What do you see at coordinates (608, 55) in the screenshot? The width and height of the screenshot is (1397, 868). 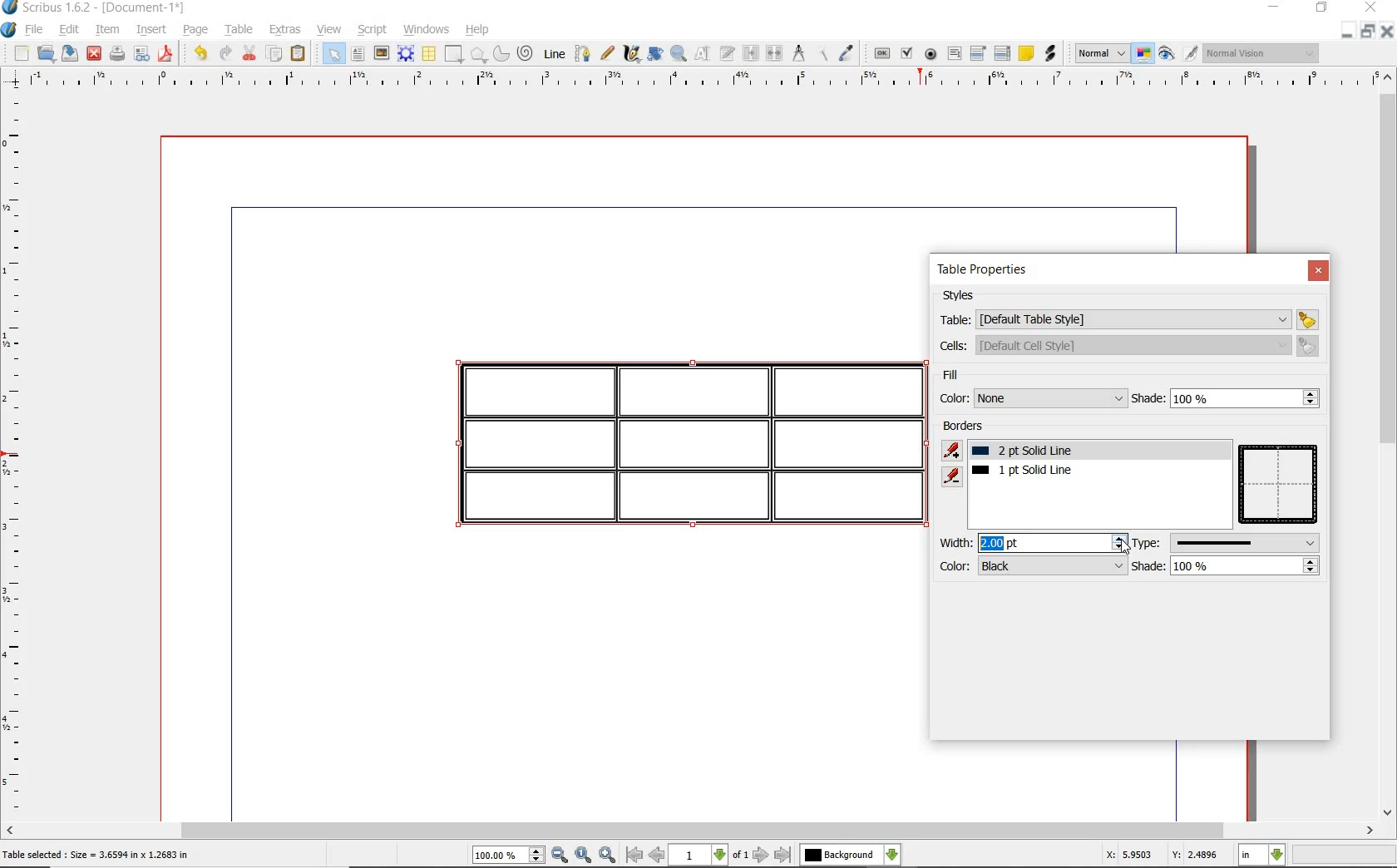 I see `freehand line` at bounding box center [608, 55].